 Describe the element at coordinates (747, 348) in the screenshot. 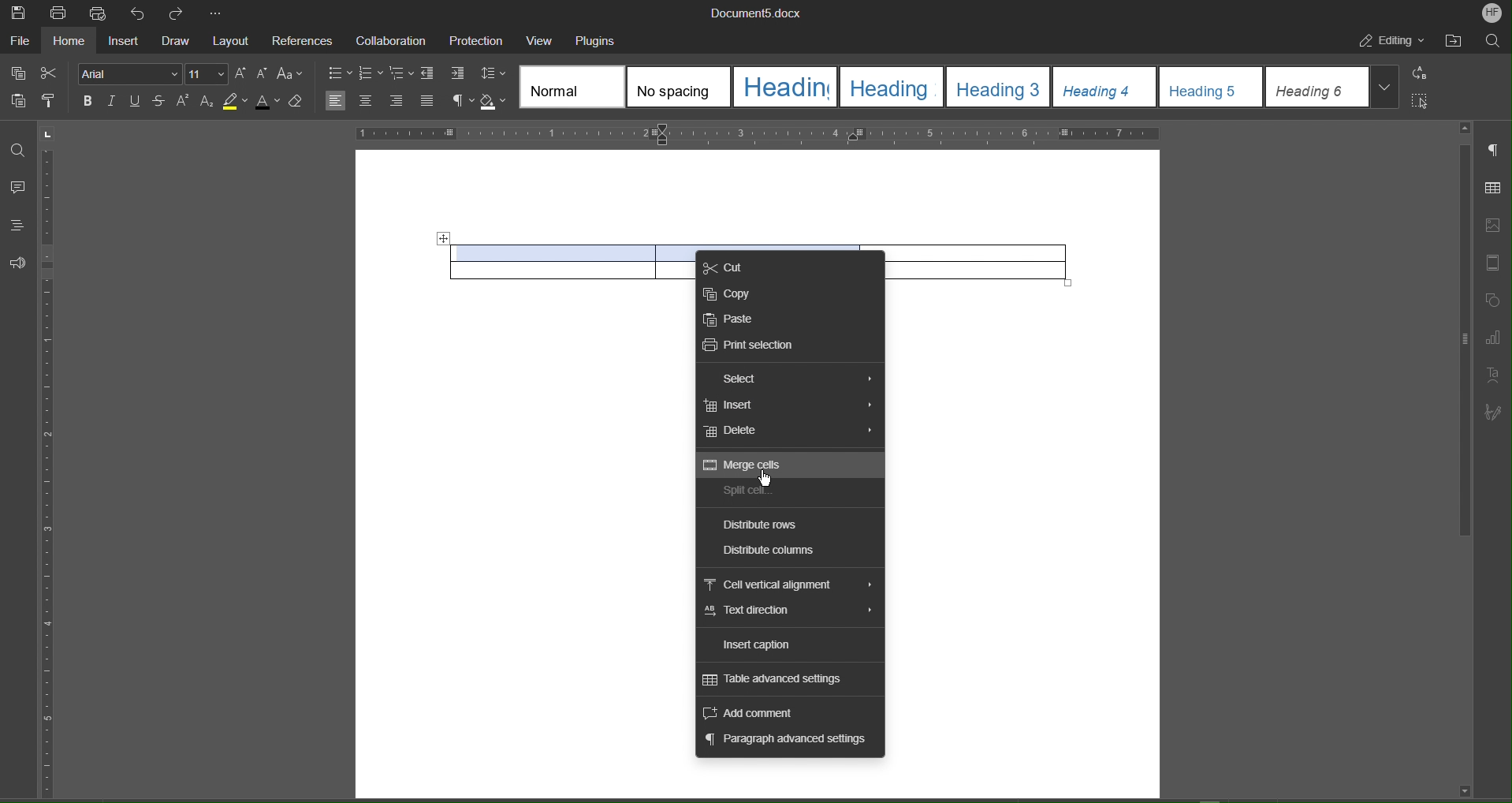

I see `Print` at that location.